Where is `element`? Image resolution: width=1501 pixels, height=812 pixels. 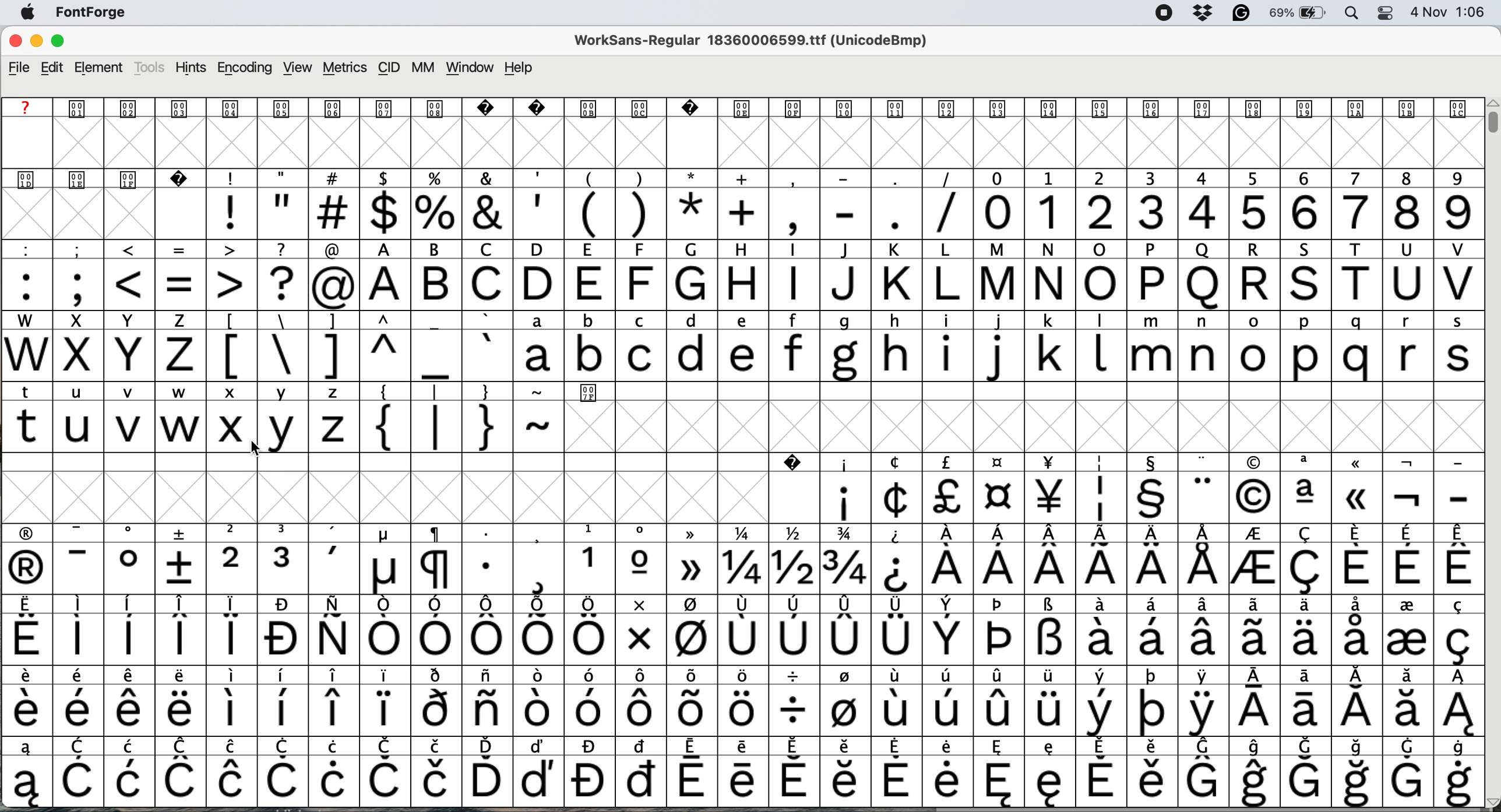
element is located at coordinates (101, 69).